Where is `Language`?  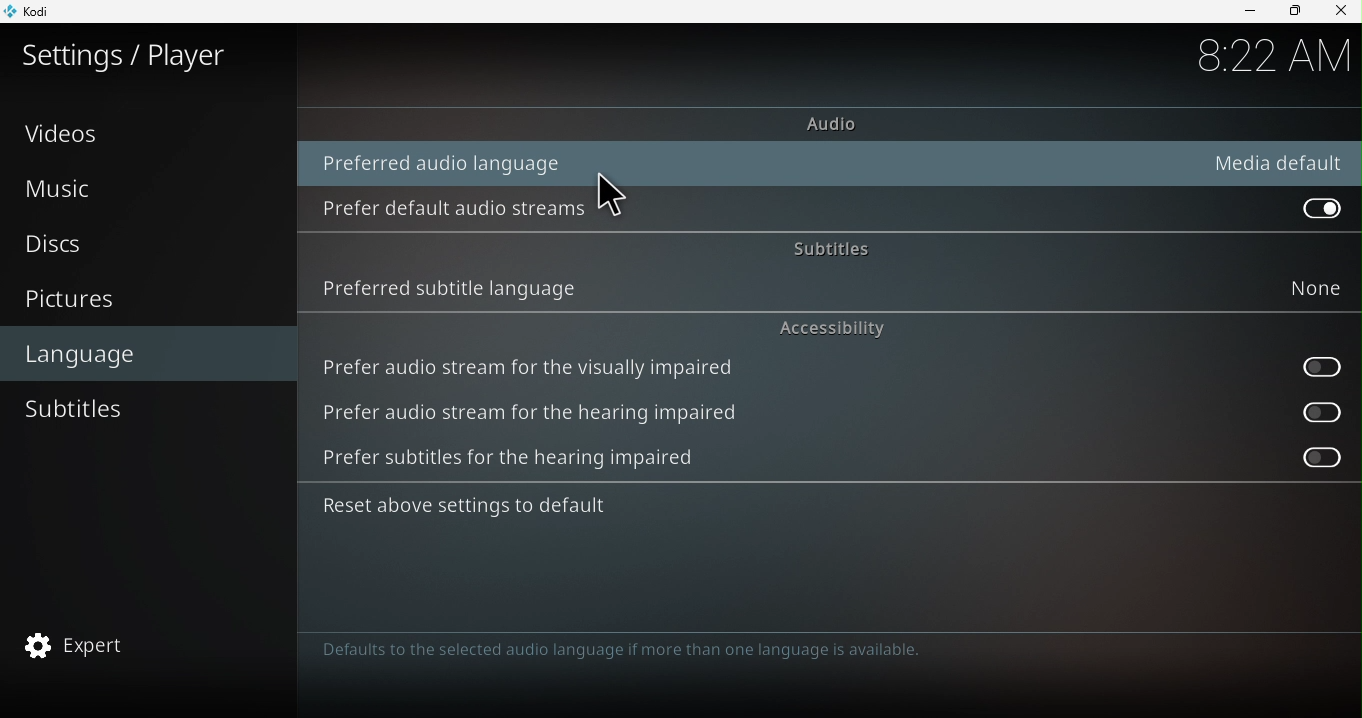 Language is located at coordinates (151, 352).